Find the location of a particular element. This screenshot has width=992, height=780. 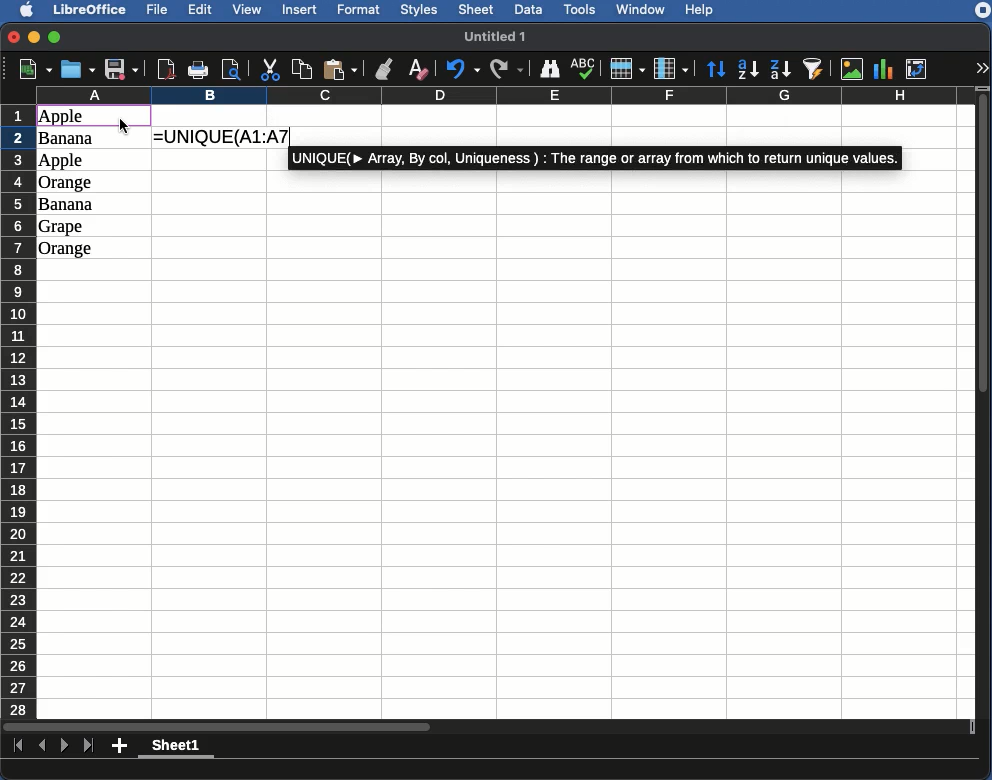

Undo is located at coordinates (462, 70).